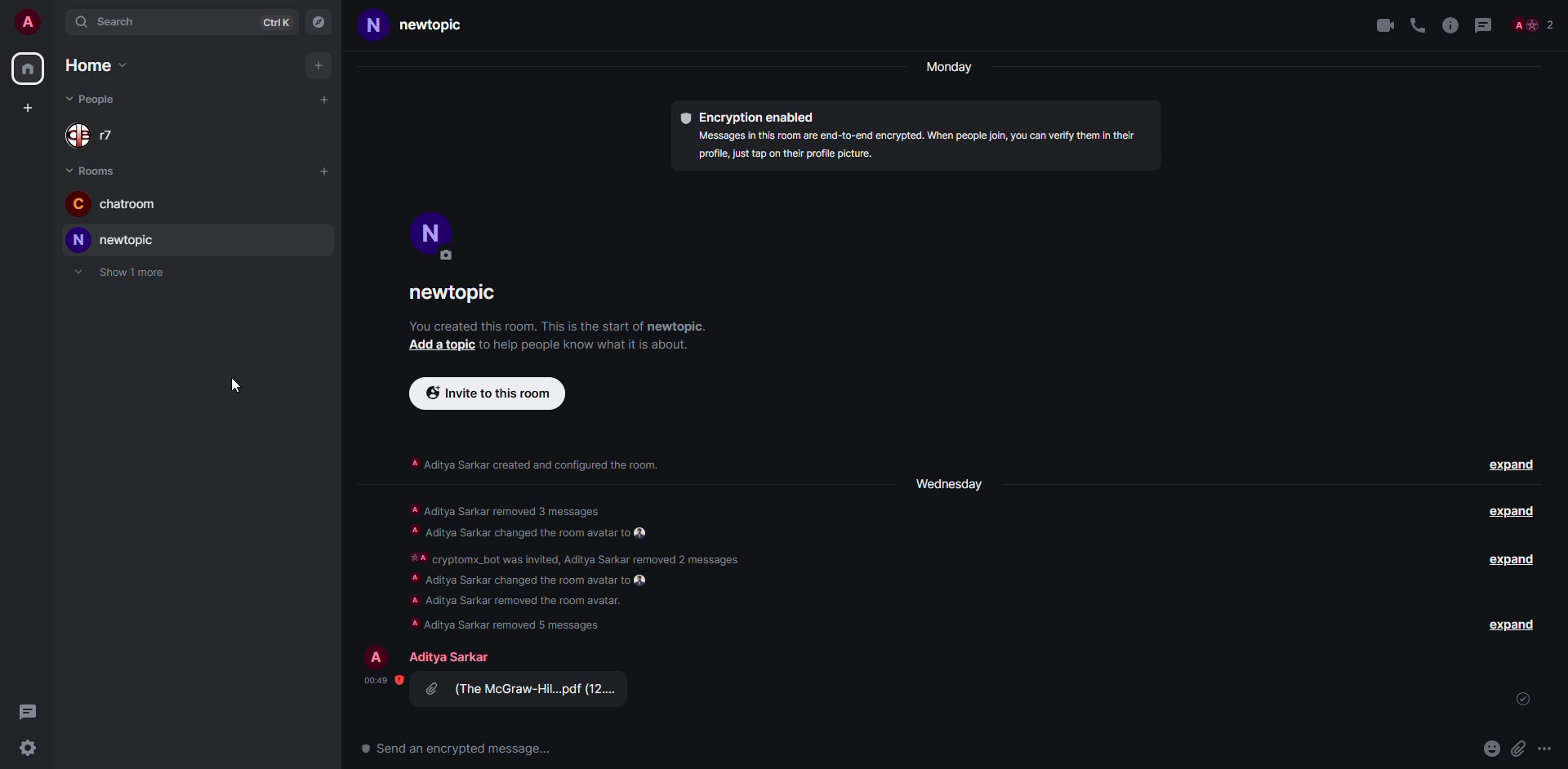 Image resolution: width=1568 pixels, height=769 pixels. I want to click on profile, so click(432, 235).